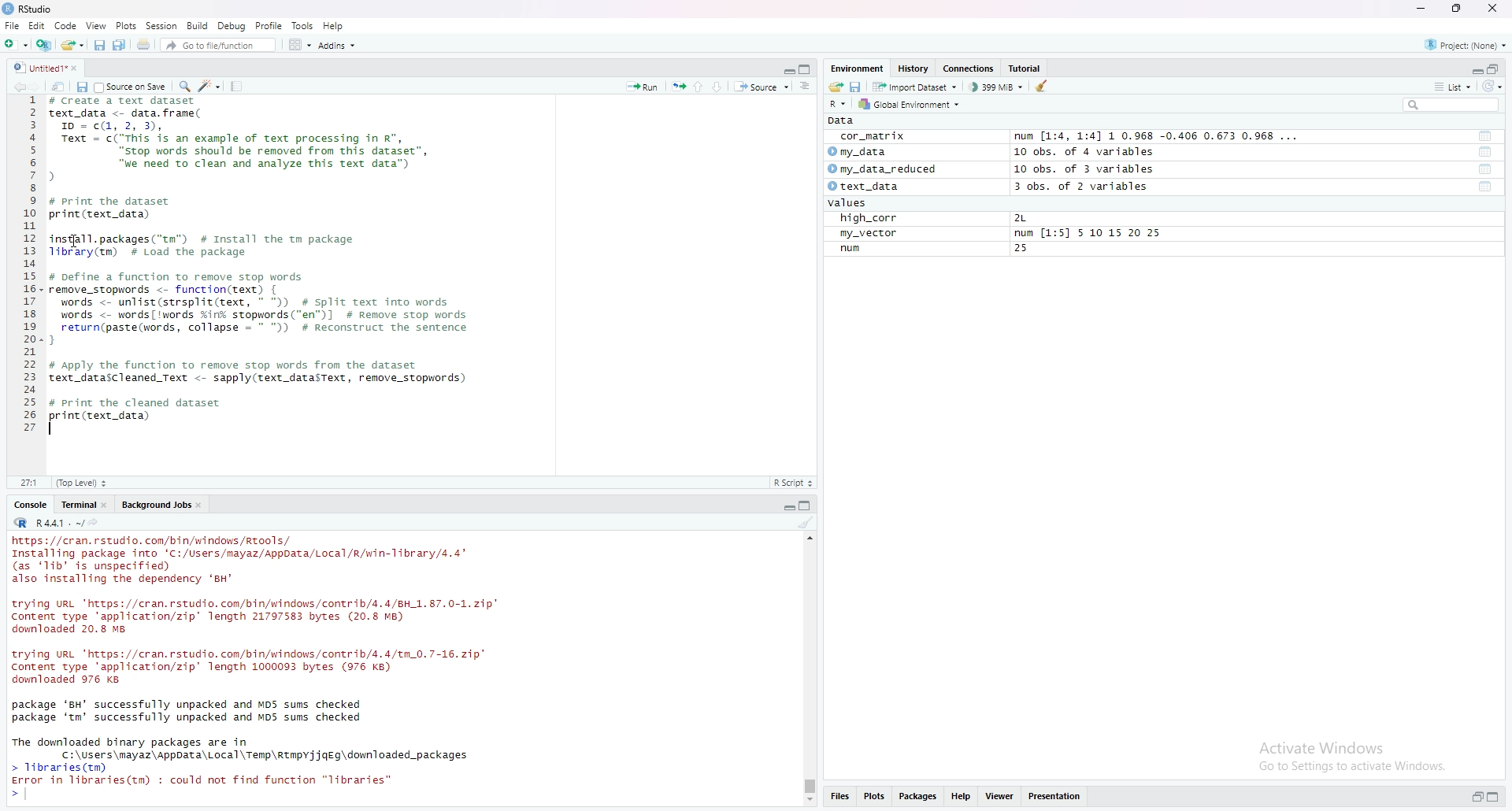 The height and width of the screenshot is (811, 1512). Describe the element at coordinates (210, 87) in the screenshot. I see `code tools` at that location.